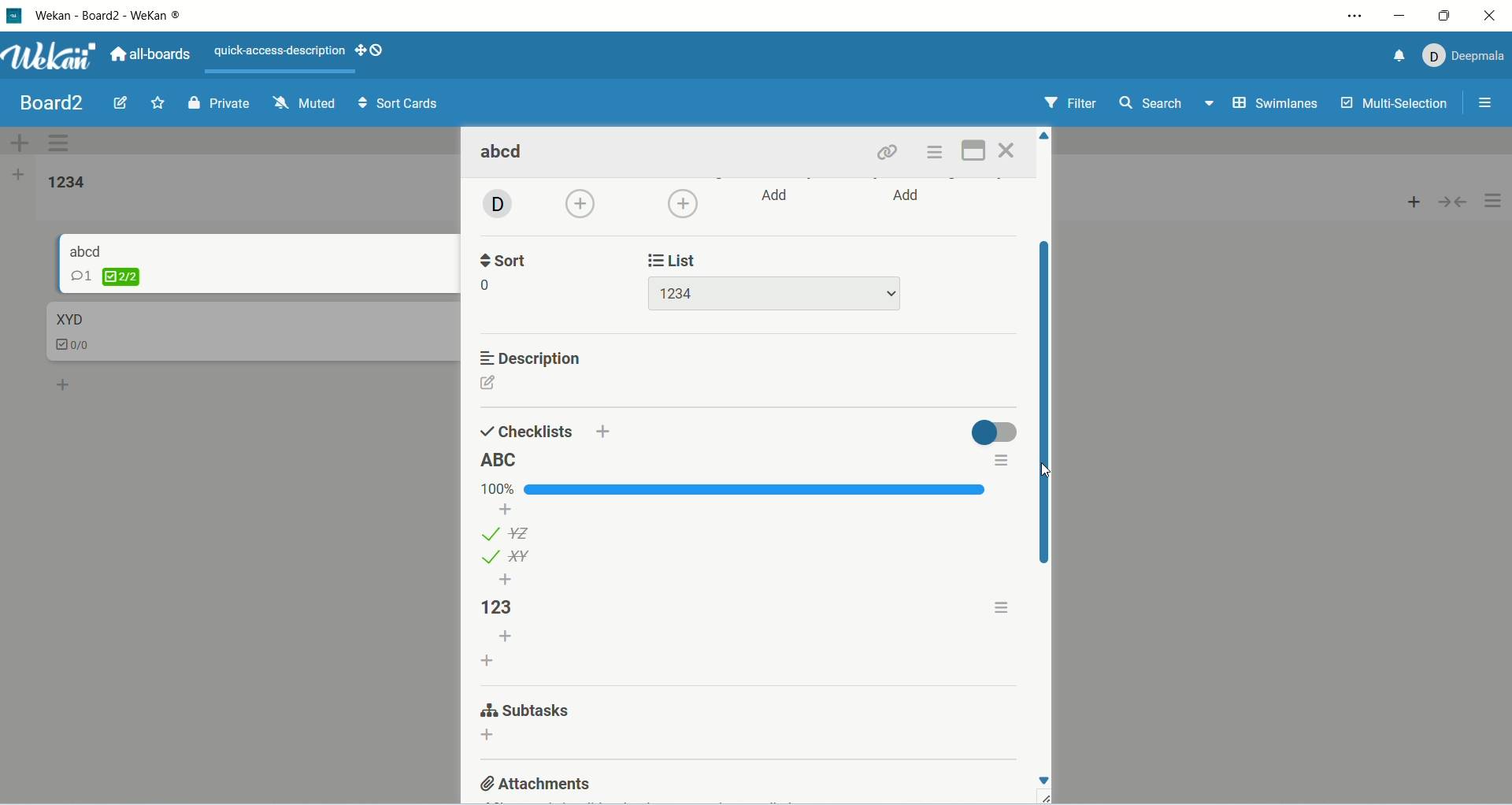 The image size is (1512, 805). What do you see at coordinates (1070, 103) in the screenshot?
I see `filter` at bounding box center [1070, 103].